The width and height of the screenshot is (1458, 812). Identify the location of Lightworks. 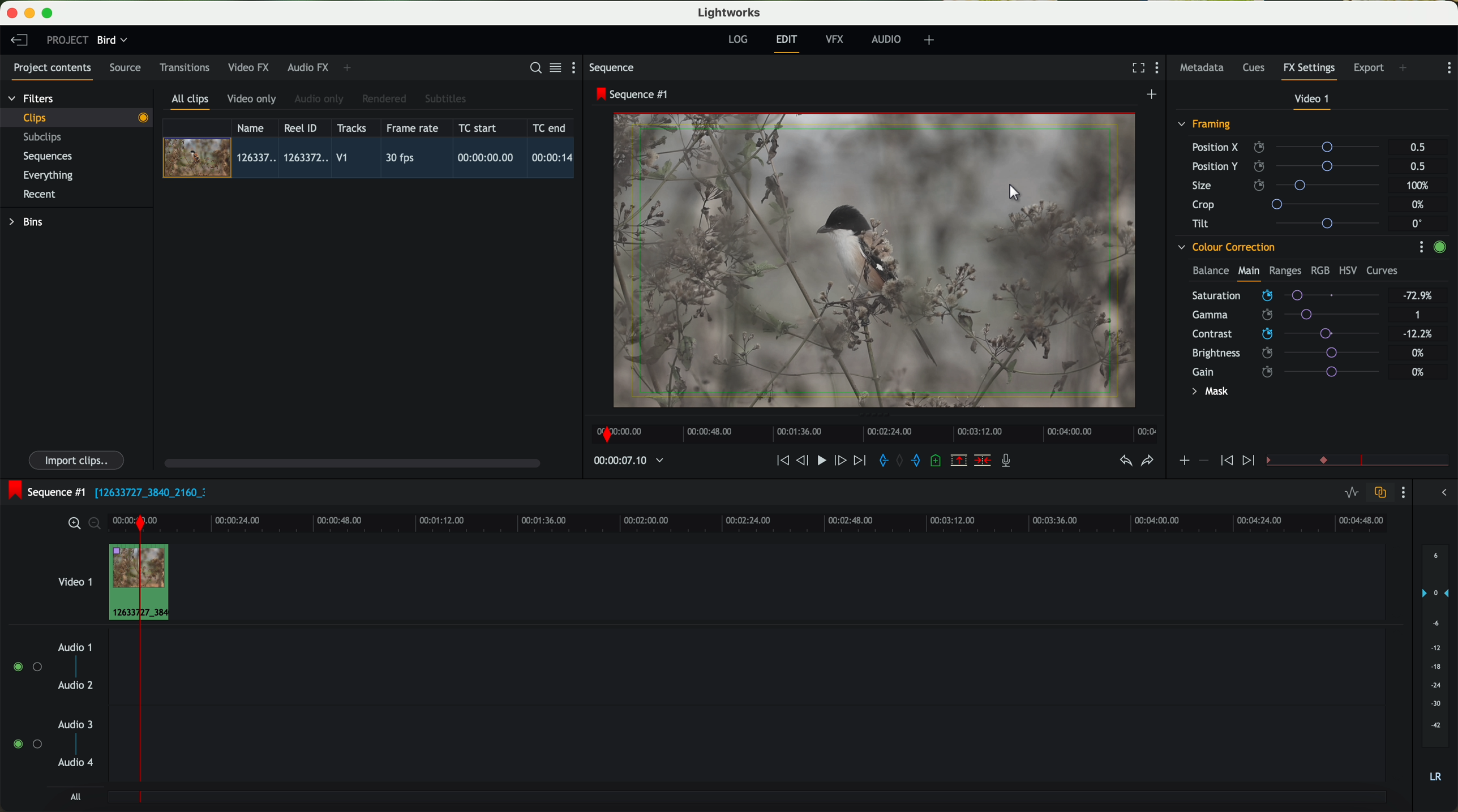
(730, 12).